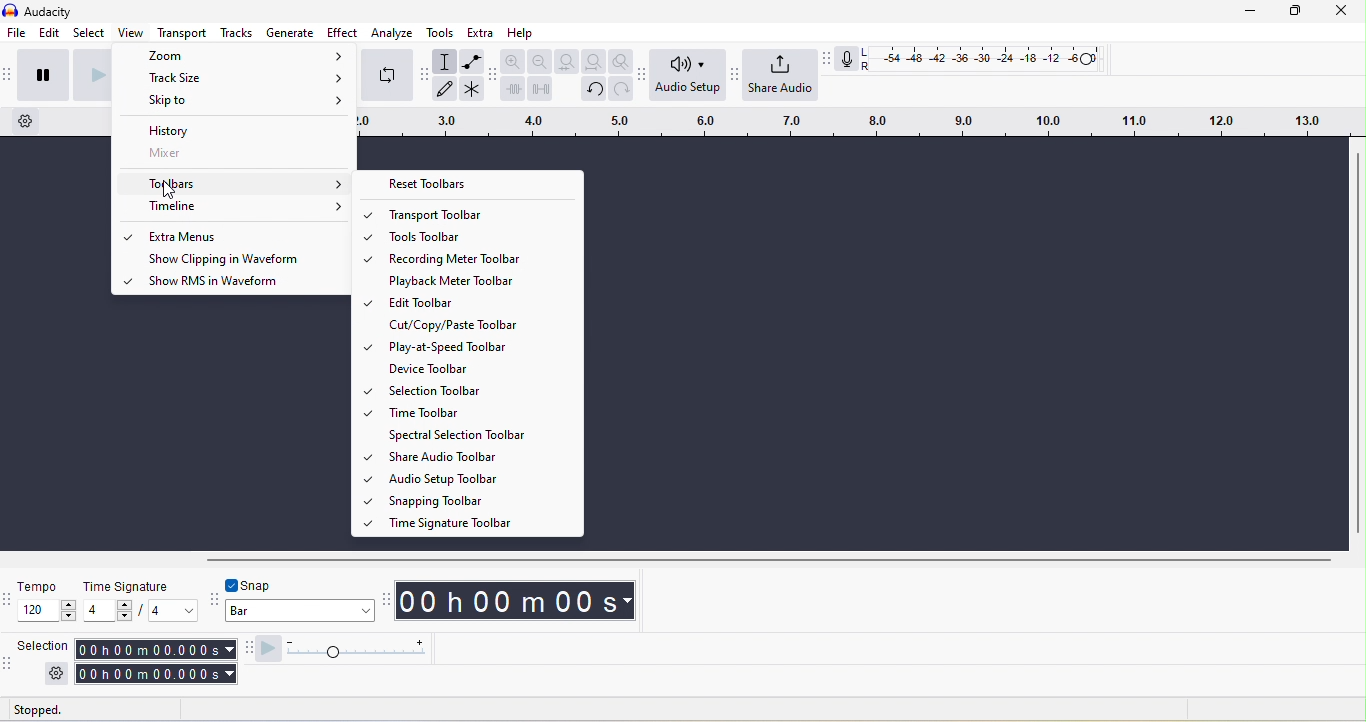  What do you see at coordinates (387, 76) in the screenshot?
I see `enable loop` at bounding box center [387, 76].